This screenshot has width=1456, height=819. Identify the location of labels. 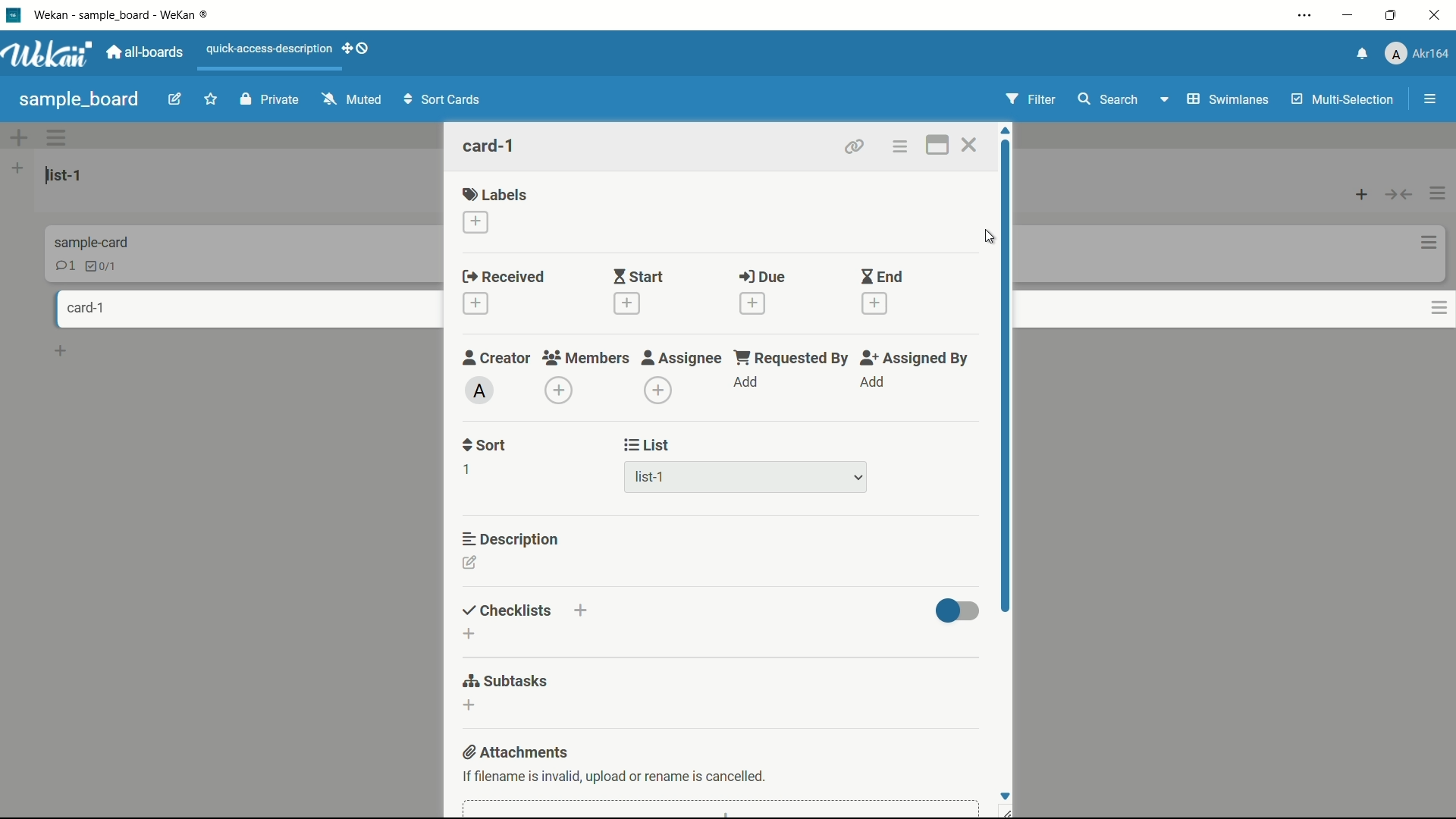
(495, 196).